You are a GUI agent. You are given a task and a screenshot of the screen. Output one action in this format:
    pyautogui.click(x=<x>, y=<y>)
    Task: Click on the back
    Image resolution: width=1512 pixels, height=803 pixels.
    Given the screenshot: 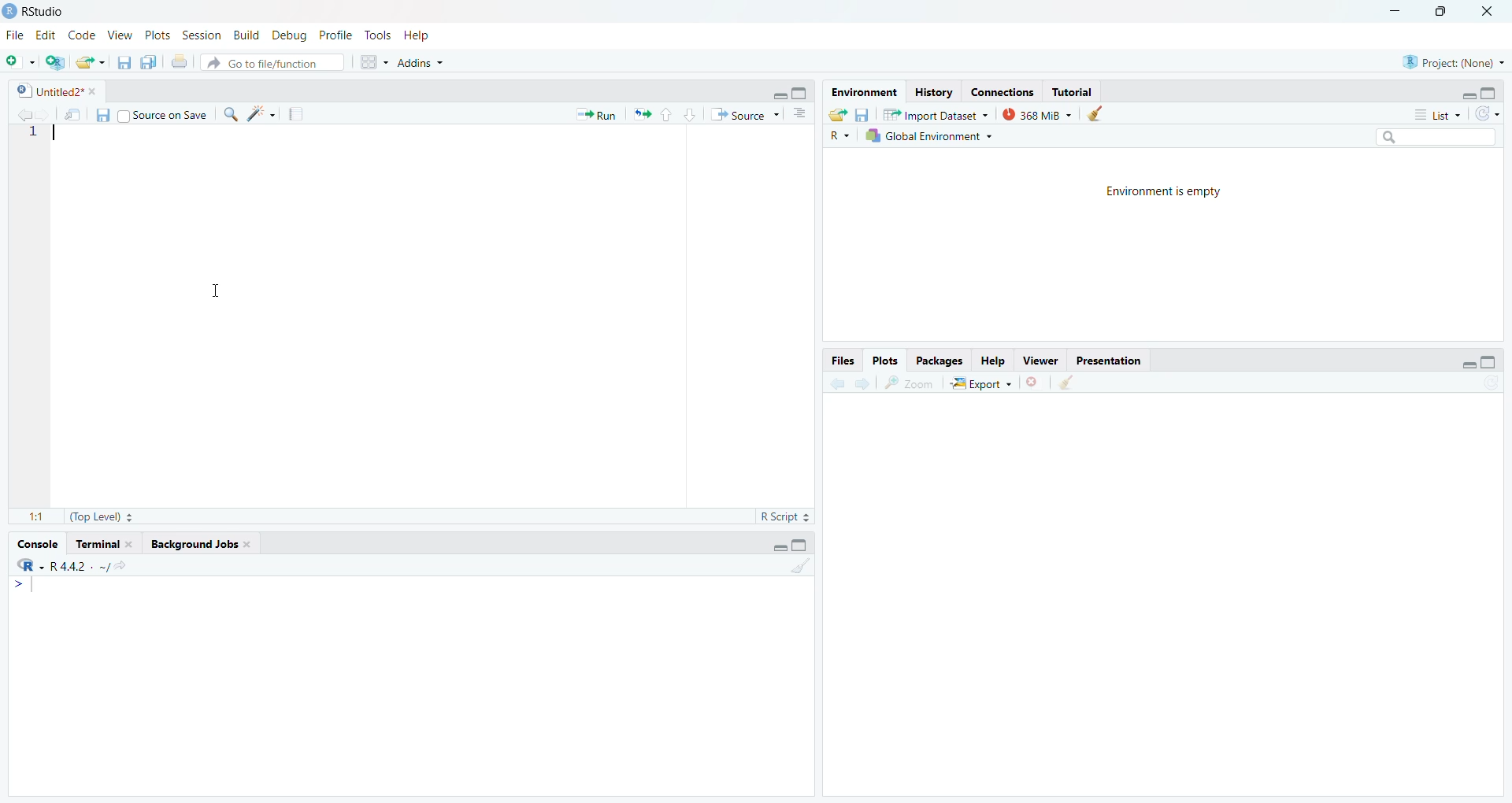 What is the action you would take?
    pyautogui.click(x=836, y=383)
    